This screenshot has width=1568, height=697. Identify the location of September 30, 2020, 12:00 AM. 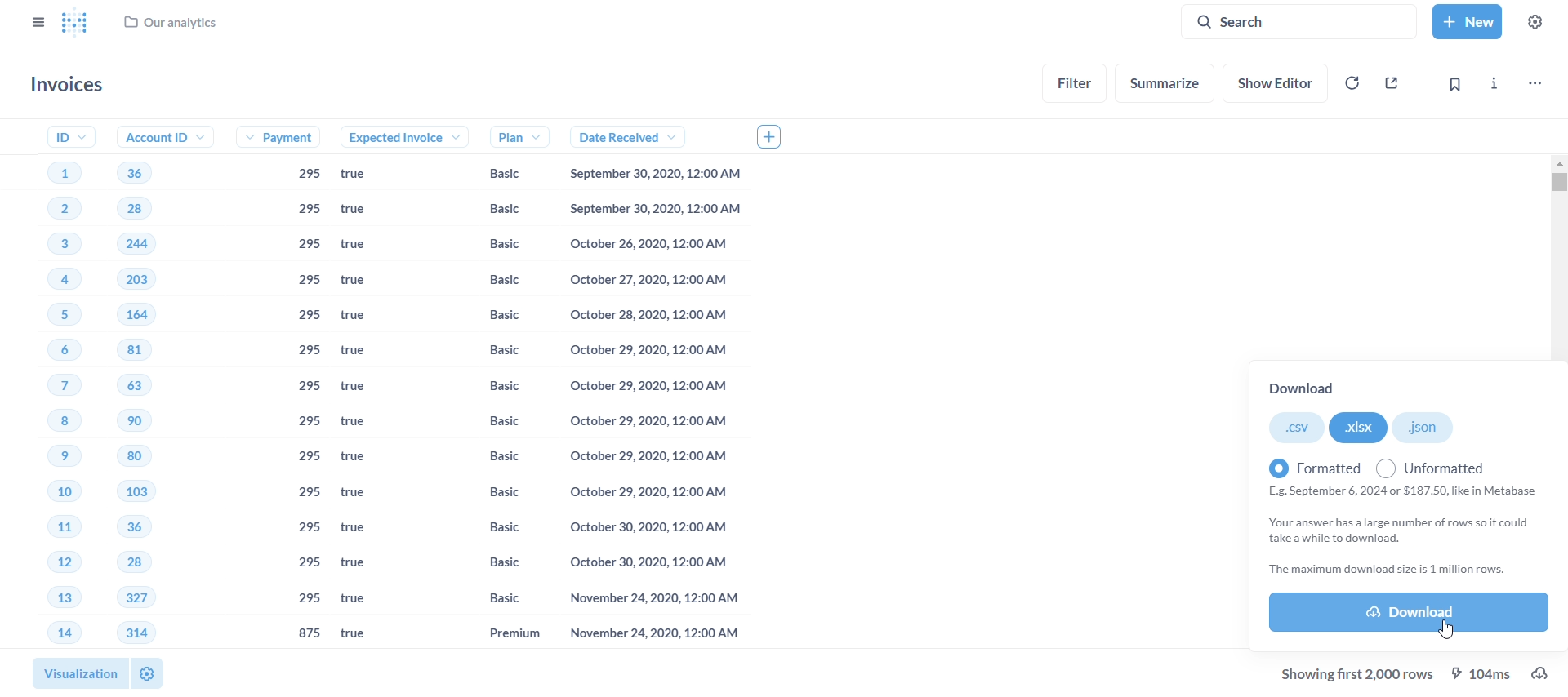
(660, 175).